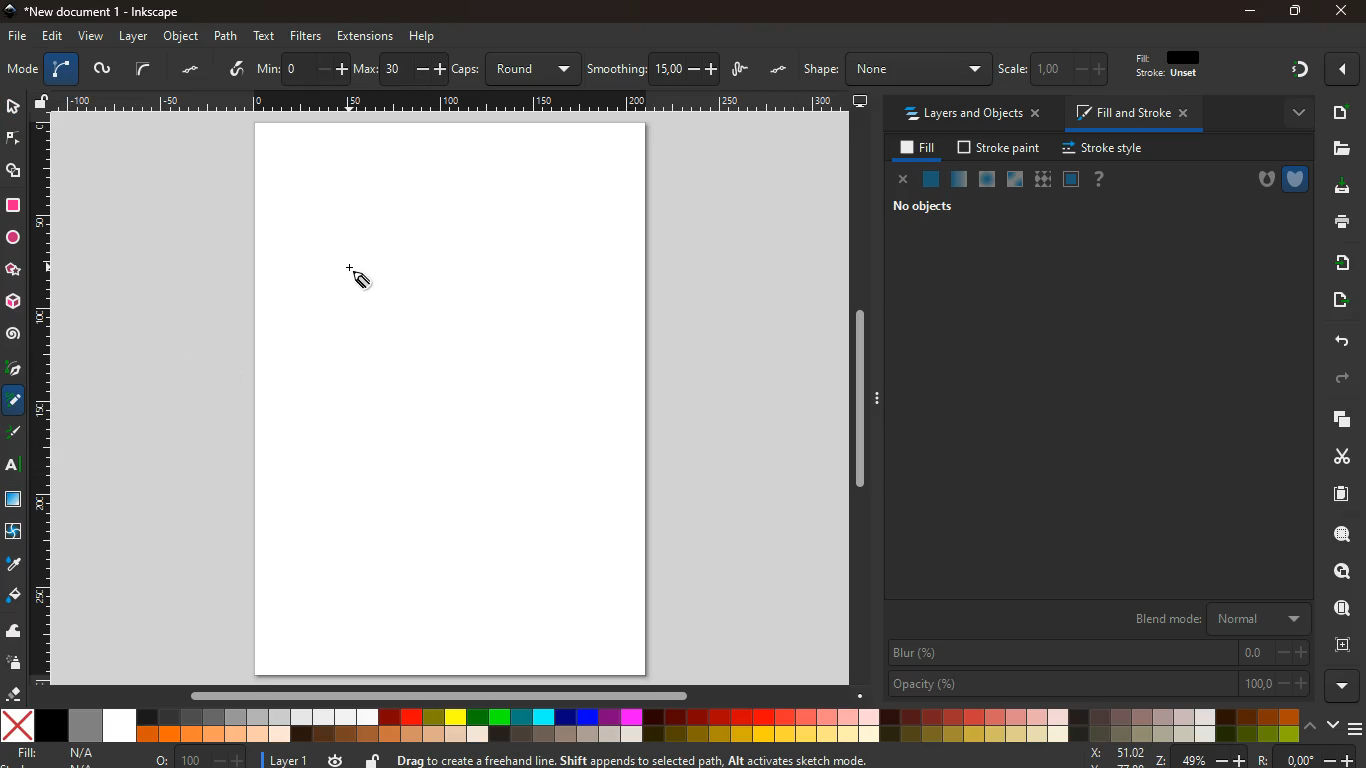  I want to click on shield, so click(1298, 177).